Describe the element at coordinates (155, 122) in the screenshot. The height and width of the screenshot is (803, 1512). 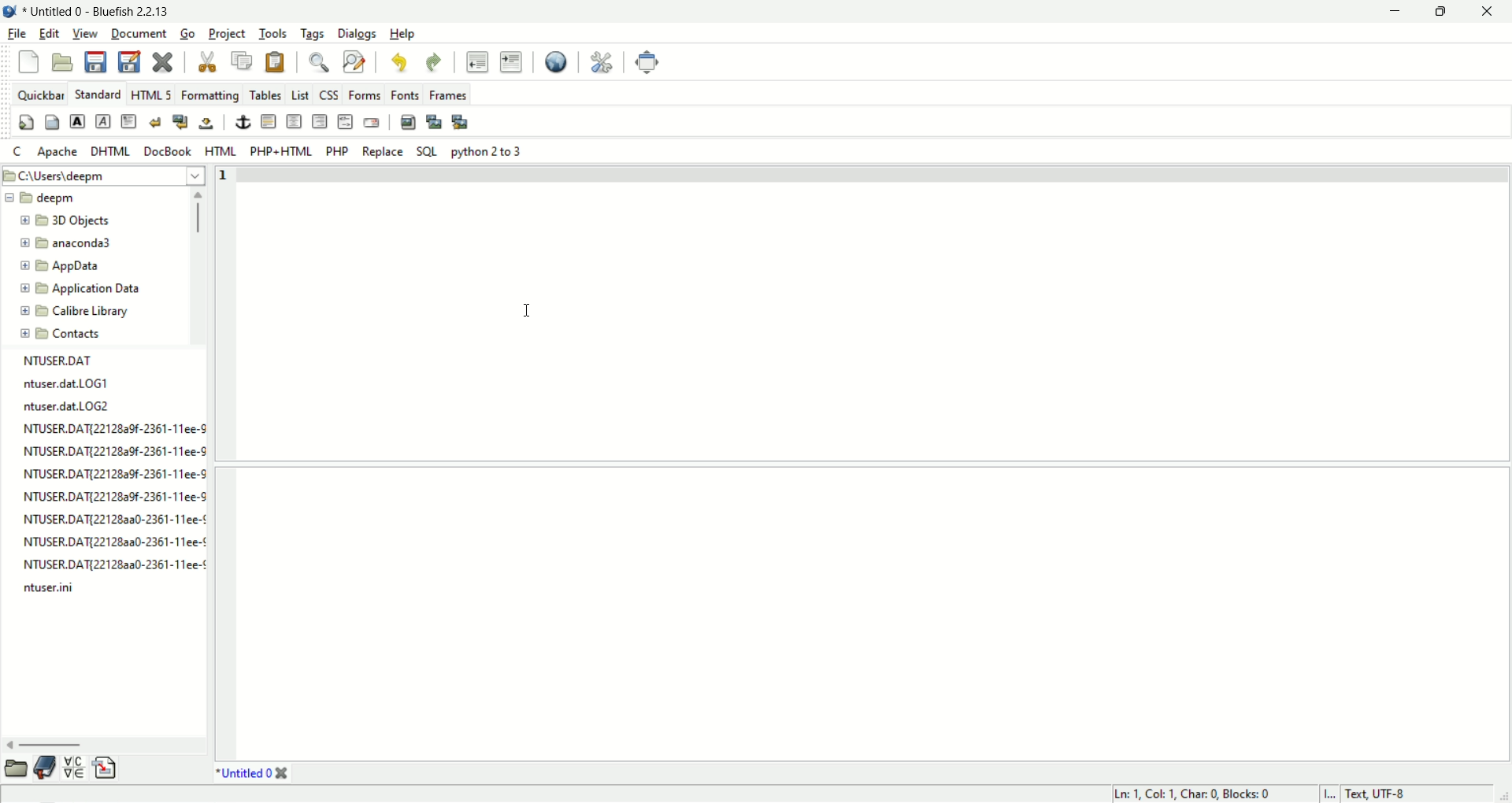
I see `break` at that location.